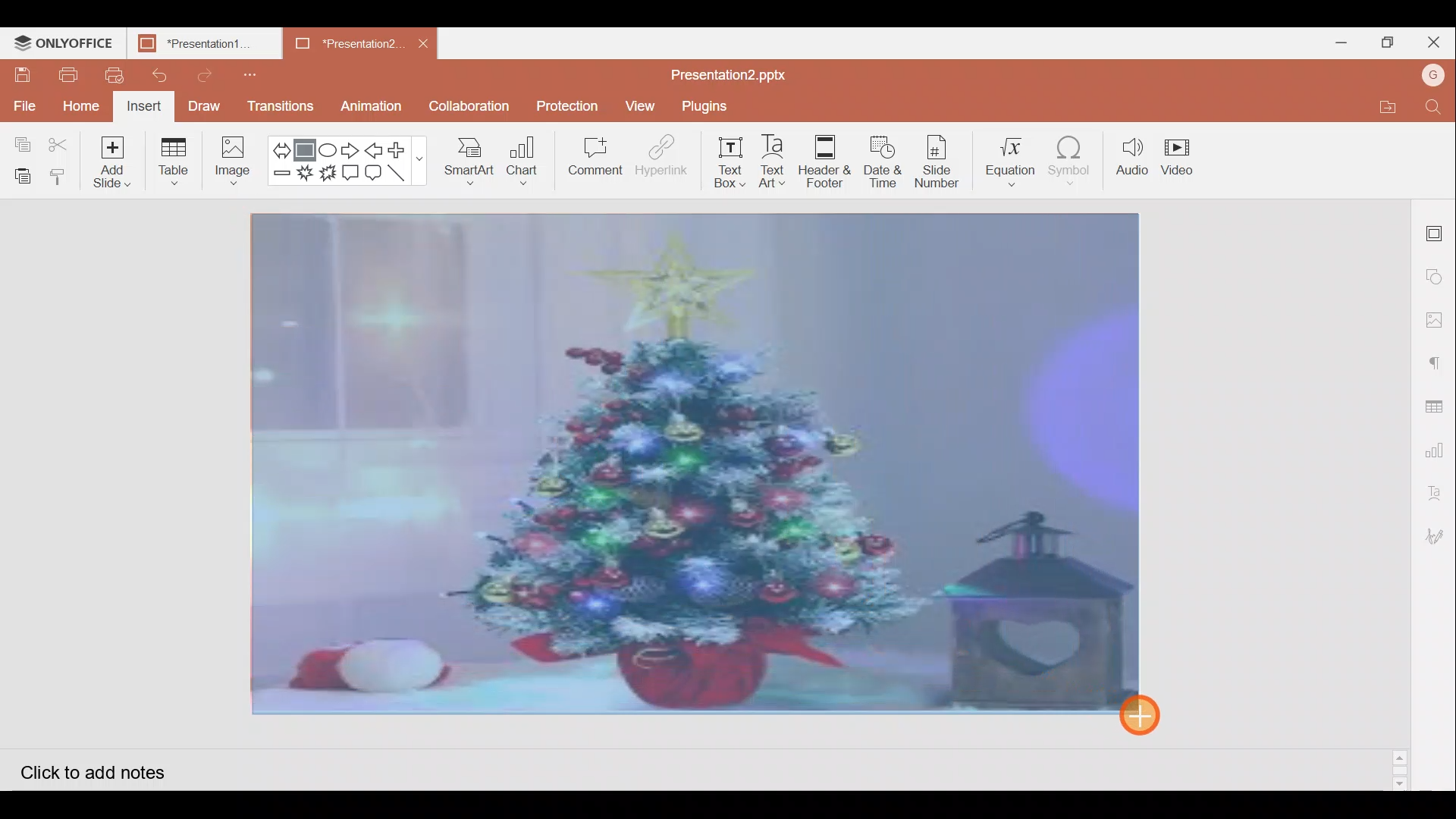  I want to click on Slide number, so click(942, 160).